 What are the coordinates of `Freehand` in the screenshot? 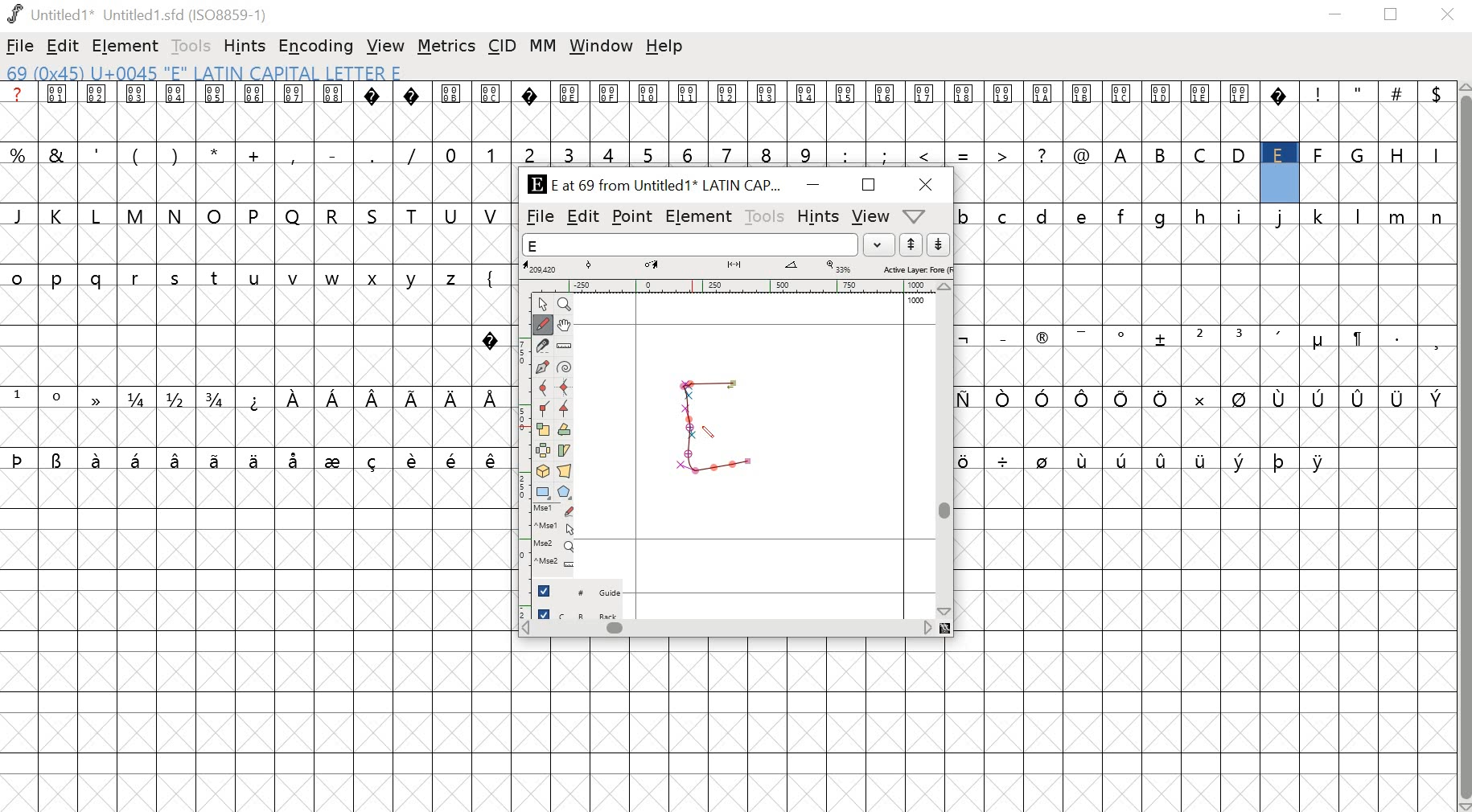 It's located at (545, 326).